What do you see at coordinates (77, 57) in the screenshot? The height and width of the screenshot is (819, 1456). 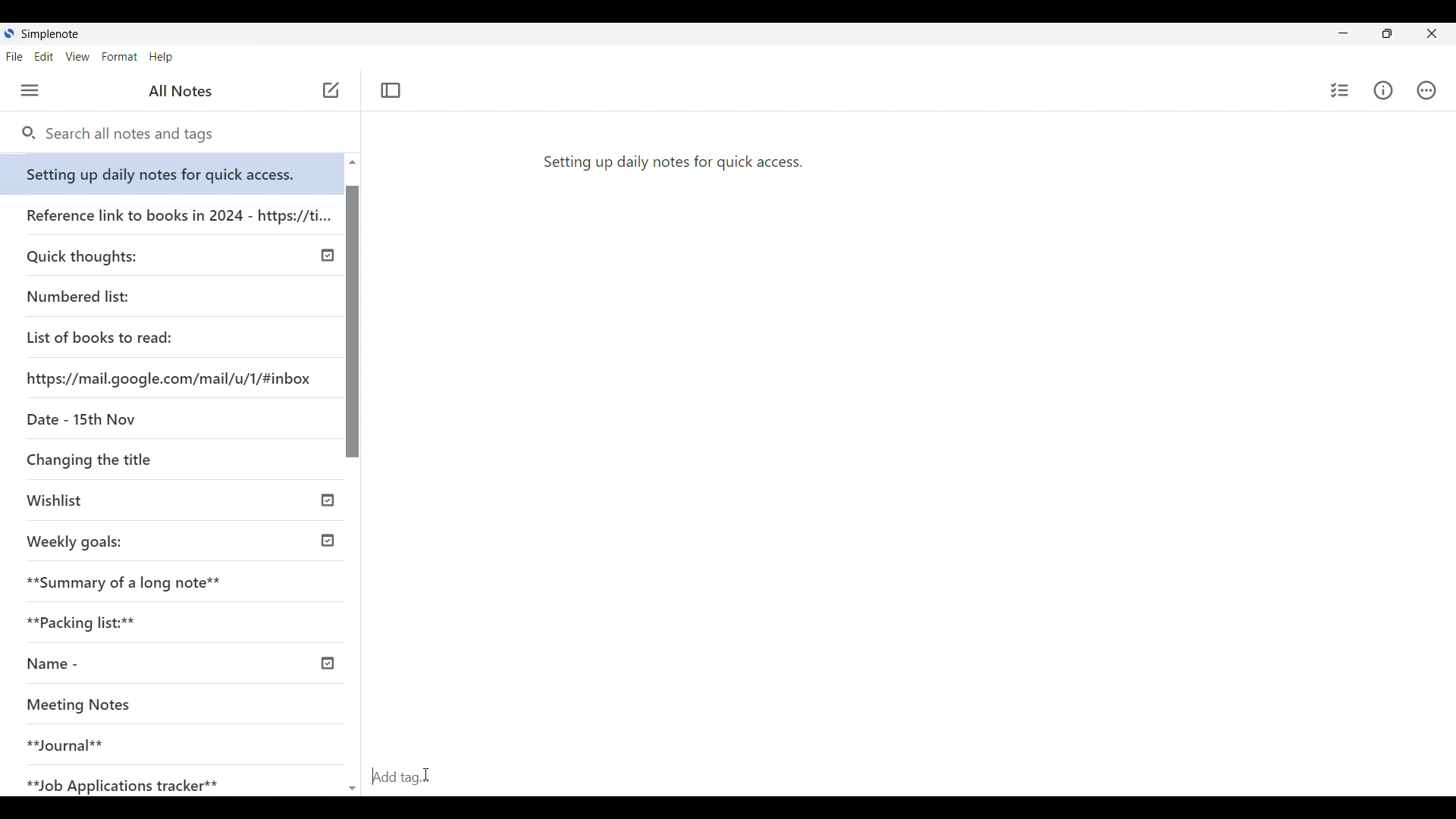 I see `View menu` at bounding box center [77, 57].